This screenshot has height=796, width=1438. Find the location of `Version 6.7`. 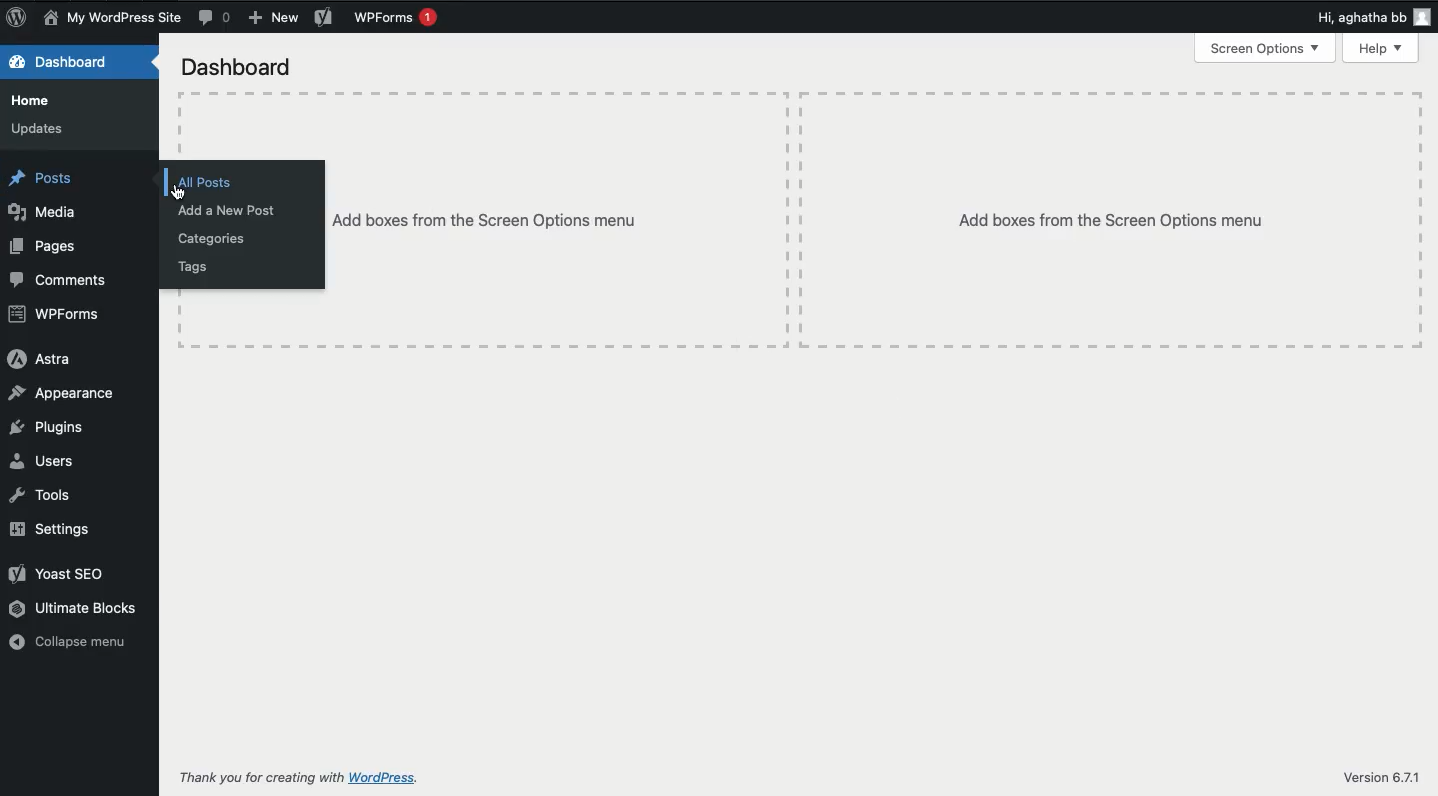

Version 6.7 is located at coordinates (1383, 776).